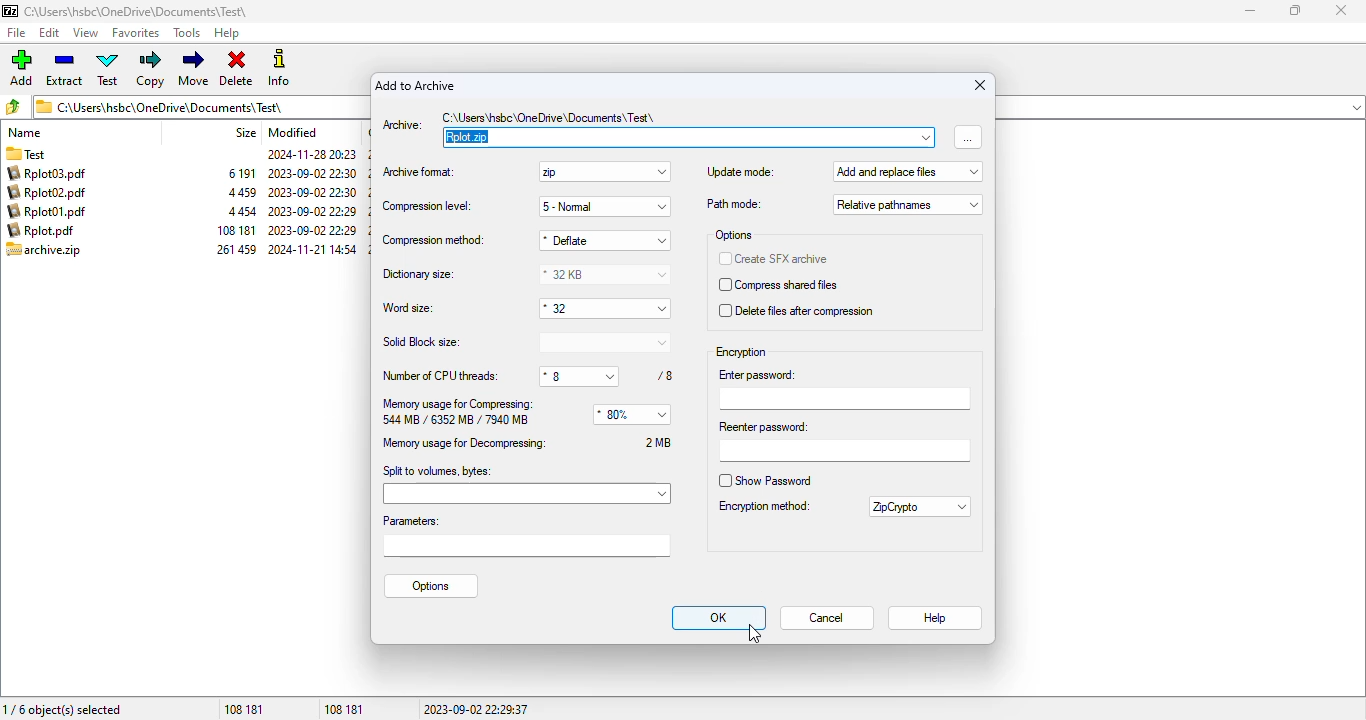 This screenshot has width=1366, height=720. I want to click on cancel, so click(827, 619).